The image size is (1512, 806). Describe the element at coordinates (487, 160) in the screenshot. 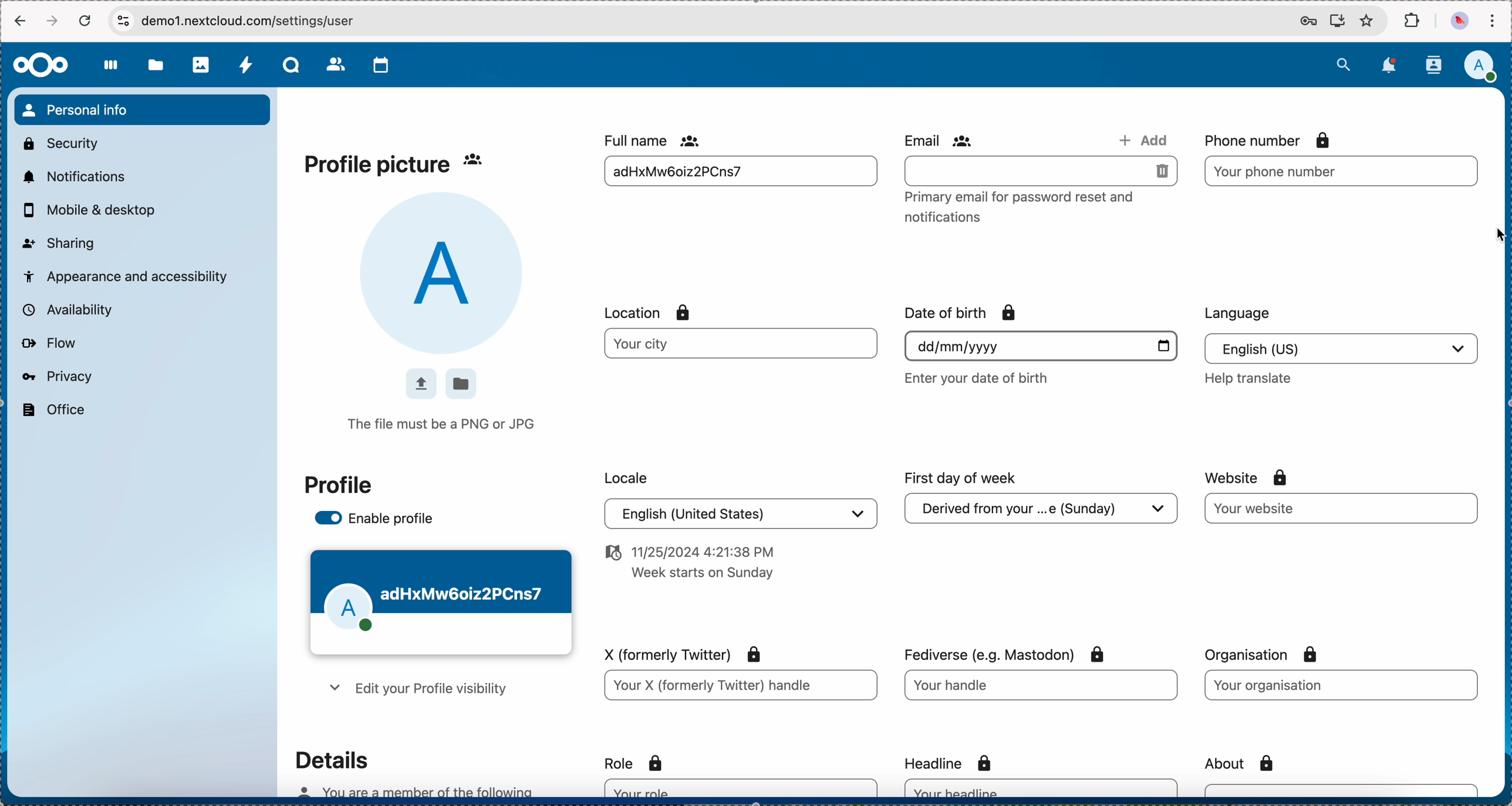

I see `user` at that location.